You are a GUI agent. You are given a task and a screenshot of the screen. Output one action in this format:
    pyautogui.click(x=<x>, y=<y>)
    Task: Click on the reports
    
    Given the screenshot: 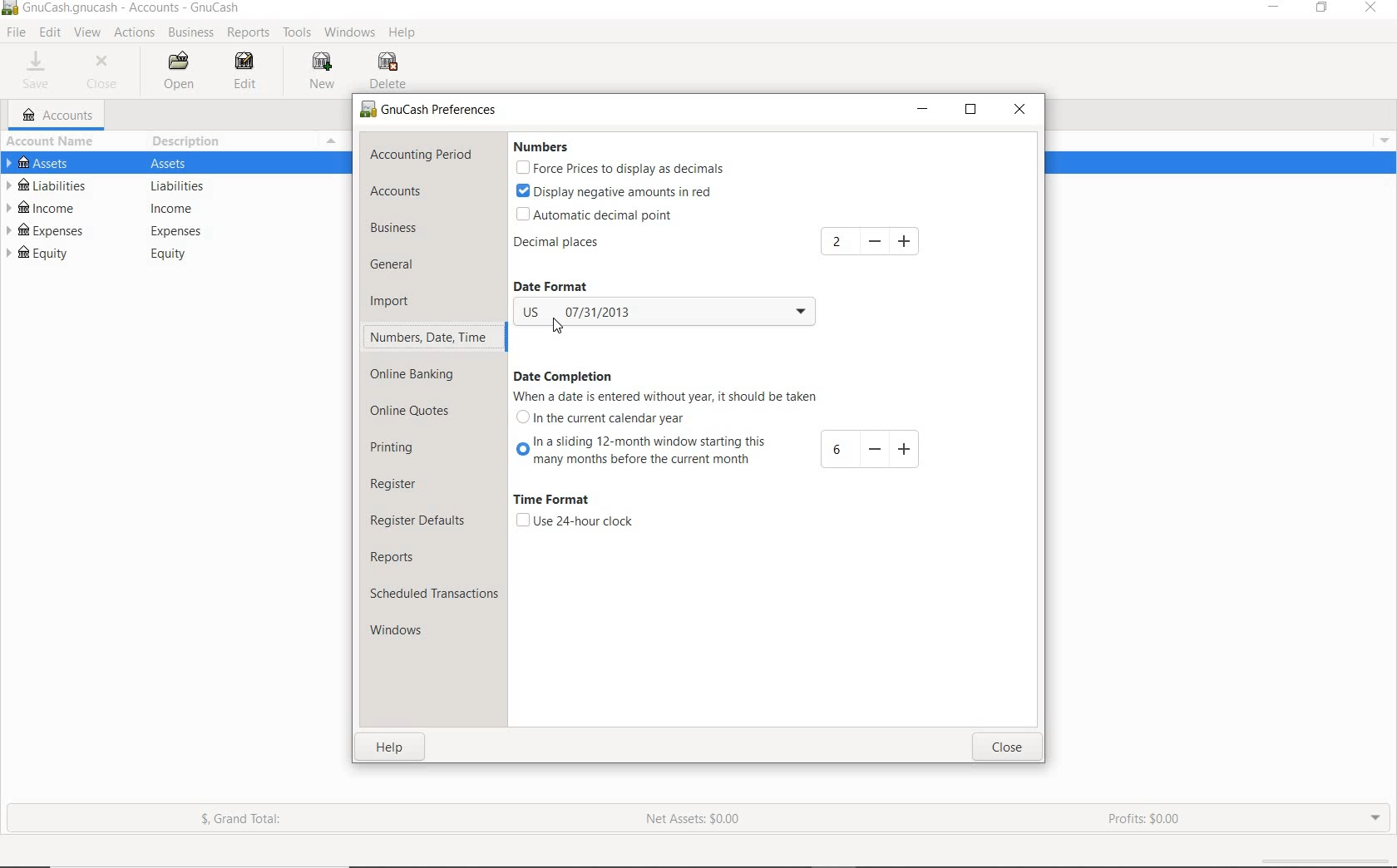 What is the action you would take?
    pyautogui.click(x=411, y=557)
    